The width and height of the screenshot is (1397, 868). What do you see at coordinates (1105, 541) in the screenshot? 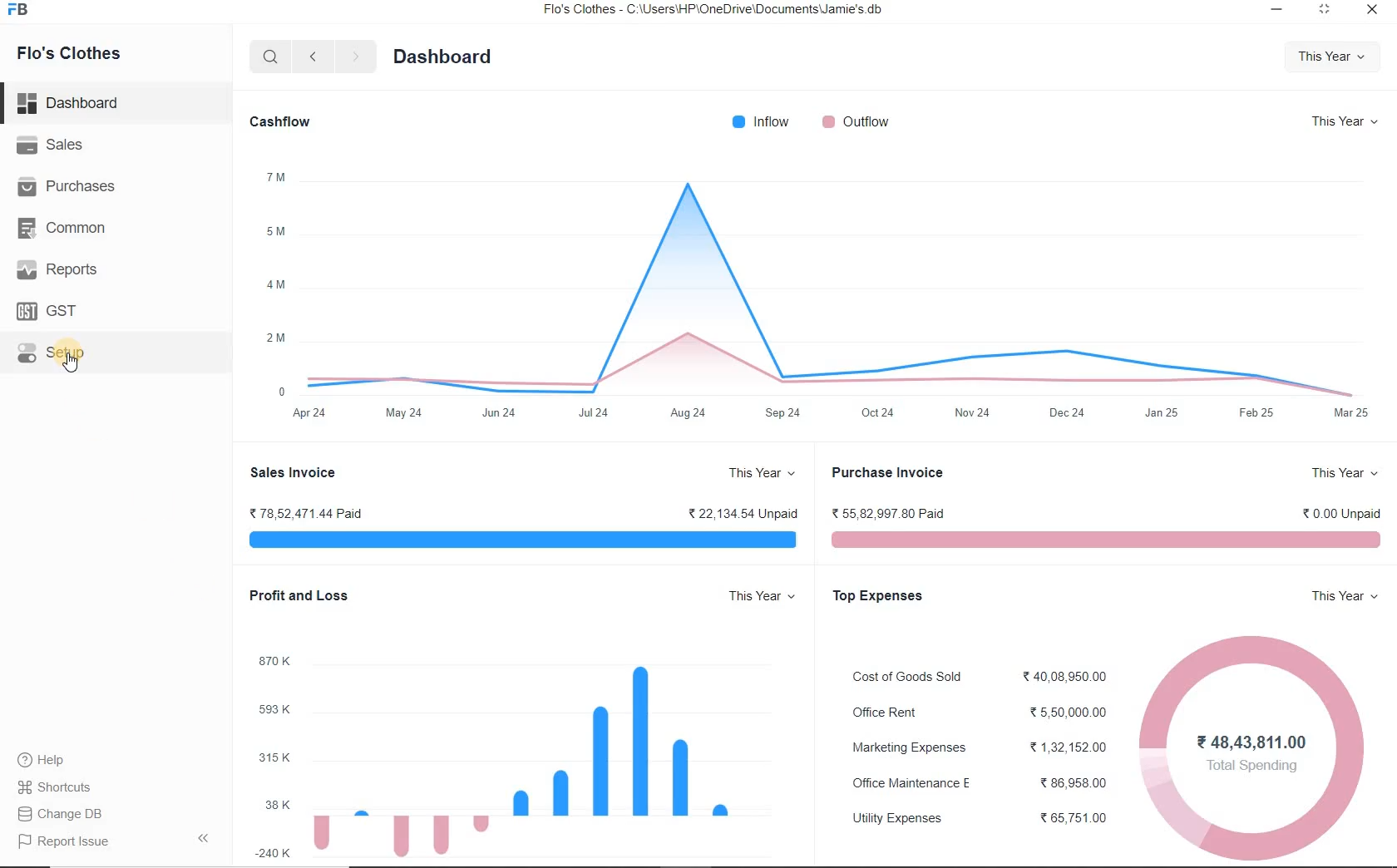
I see `purchase invoice` at bounding box center [1105, 541].